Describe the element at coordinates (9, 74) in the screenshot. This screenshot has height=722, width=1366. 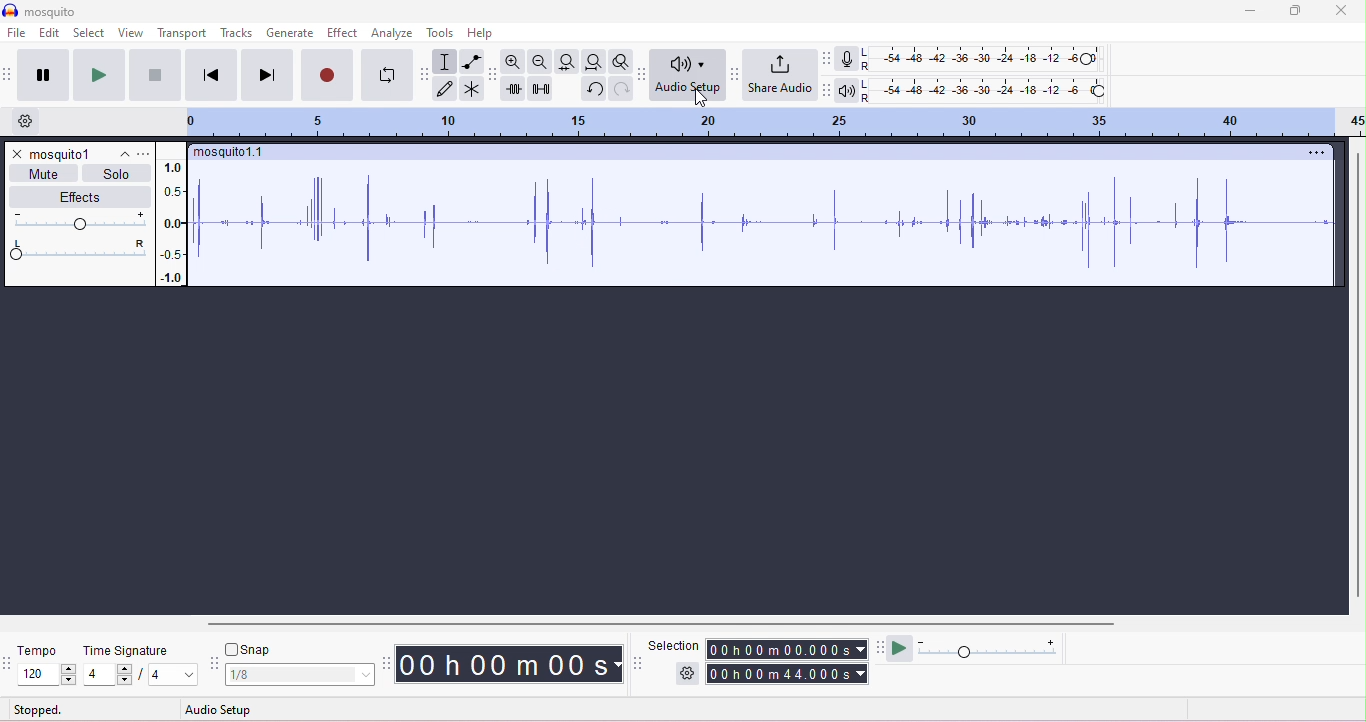
I see `toolbar` at that location.